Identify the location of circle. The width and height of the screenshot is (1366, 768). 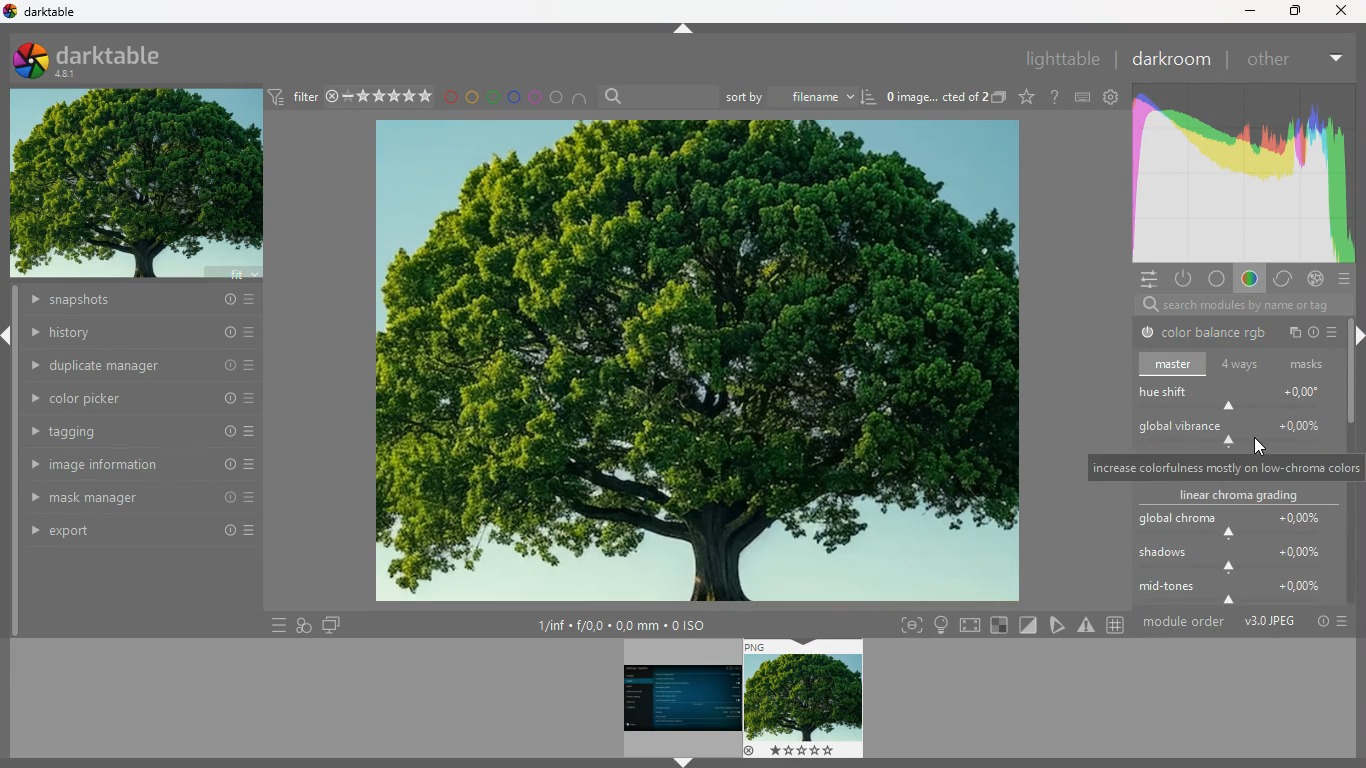
(558, 98).